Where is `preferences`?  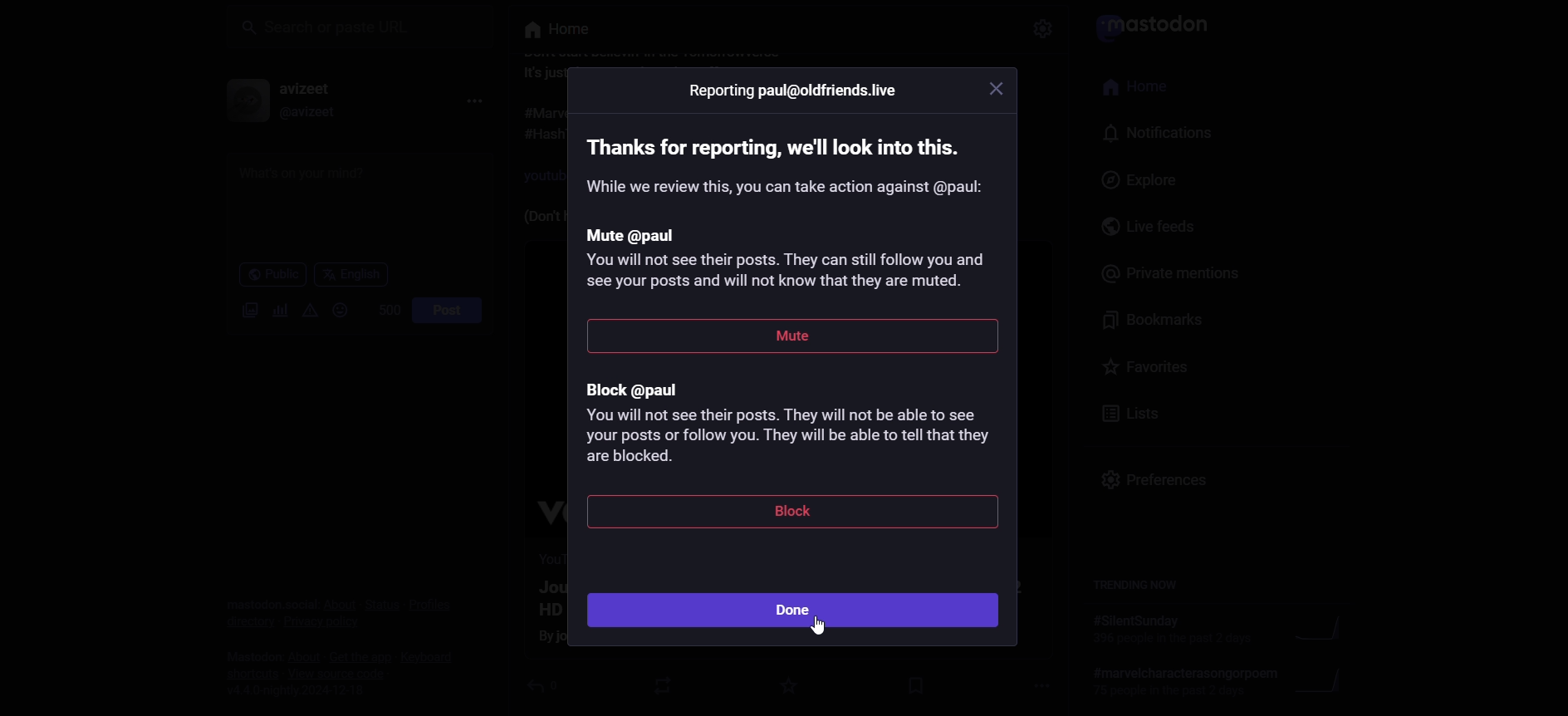 preferences is located at coordinates (1162, 485).